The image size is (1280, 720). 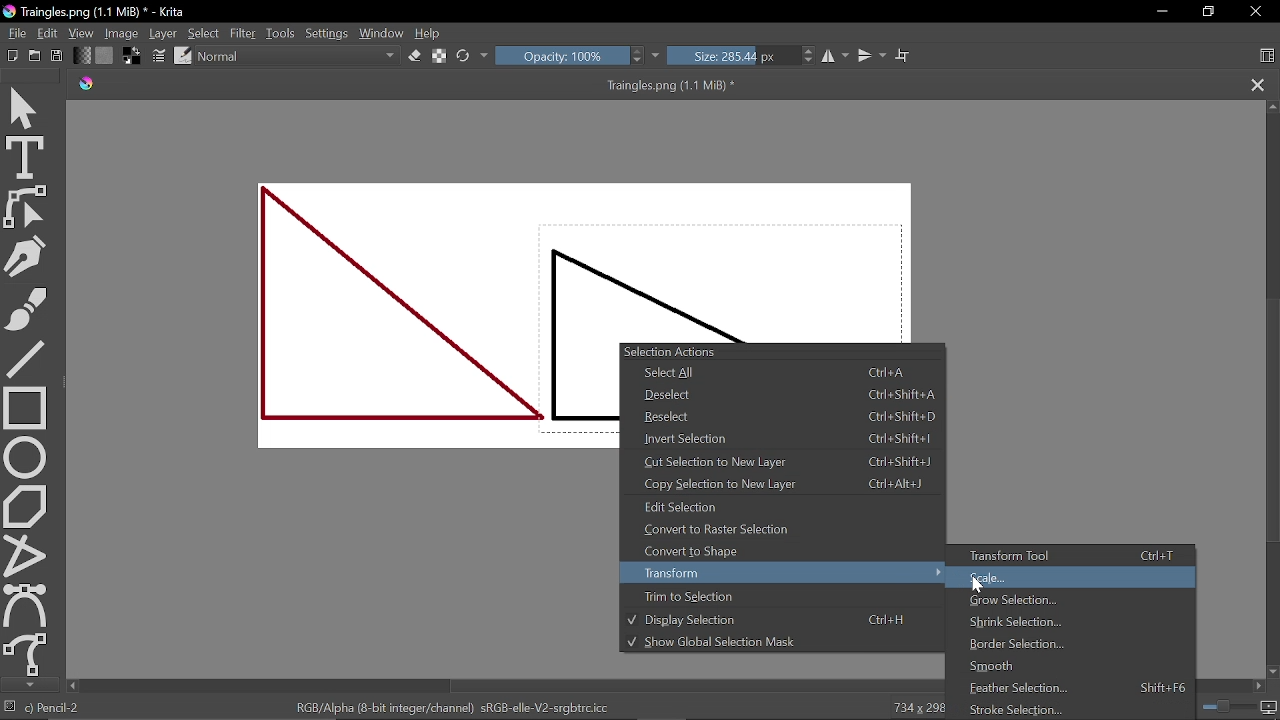 I want to click on Close tab, so click(x=1256, y=84).